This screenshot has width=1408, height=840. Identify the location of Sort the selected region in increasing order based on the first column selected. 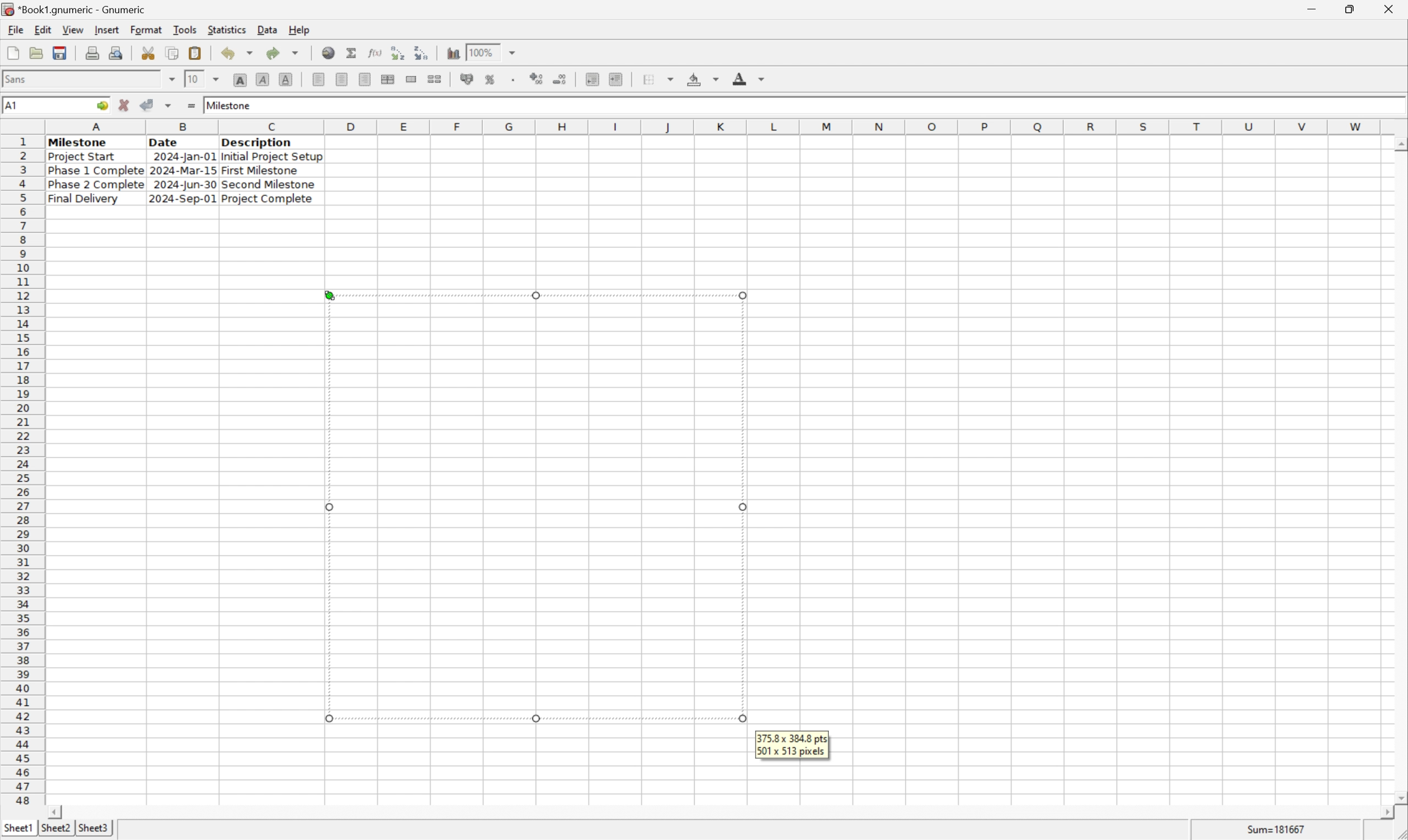
(395, 53).